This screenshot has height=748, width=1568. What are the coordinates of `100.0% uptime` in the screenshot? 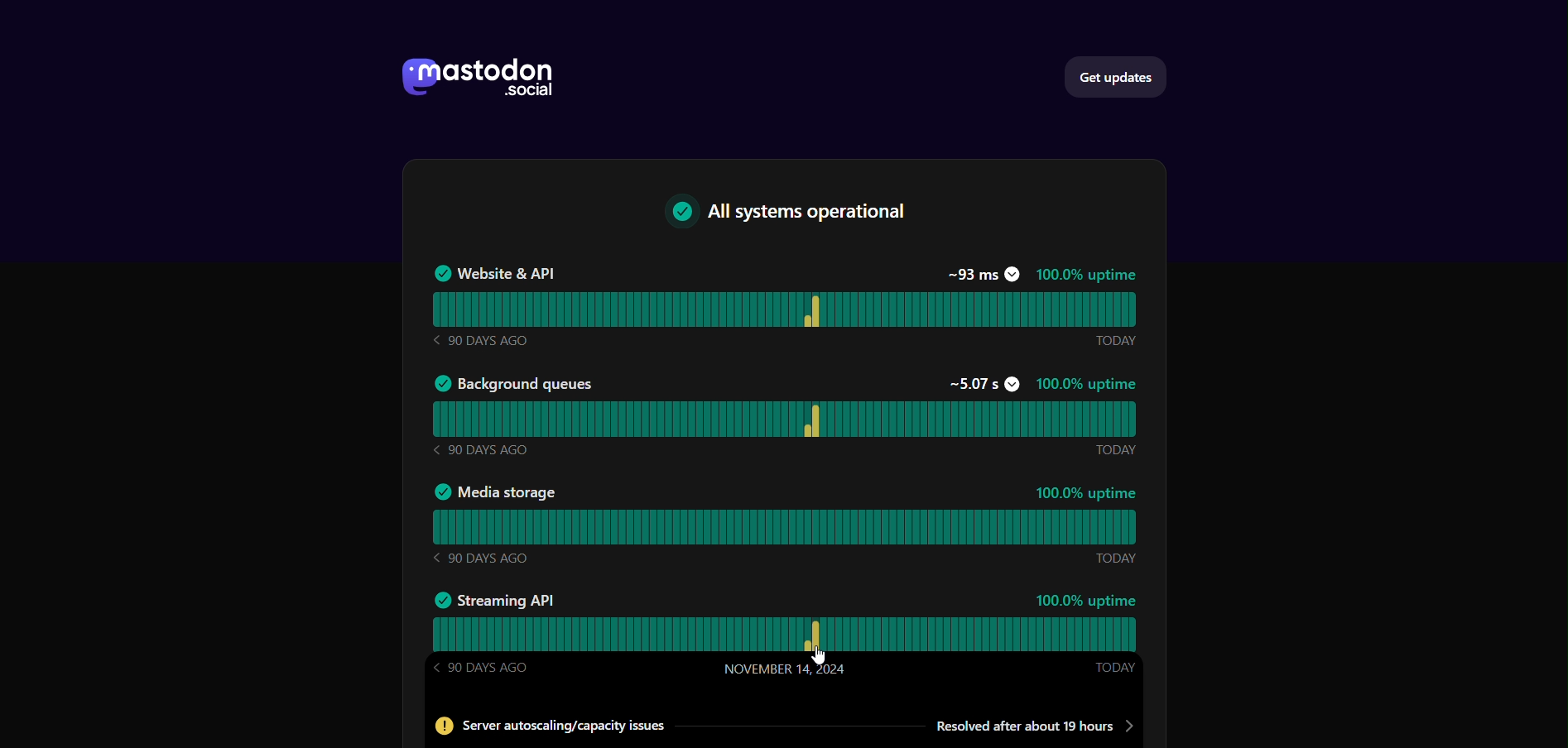 It's located at (1087, 601).